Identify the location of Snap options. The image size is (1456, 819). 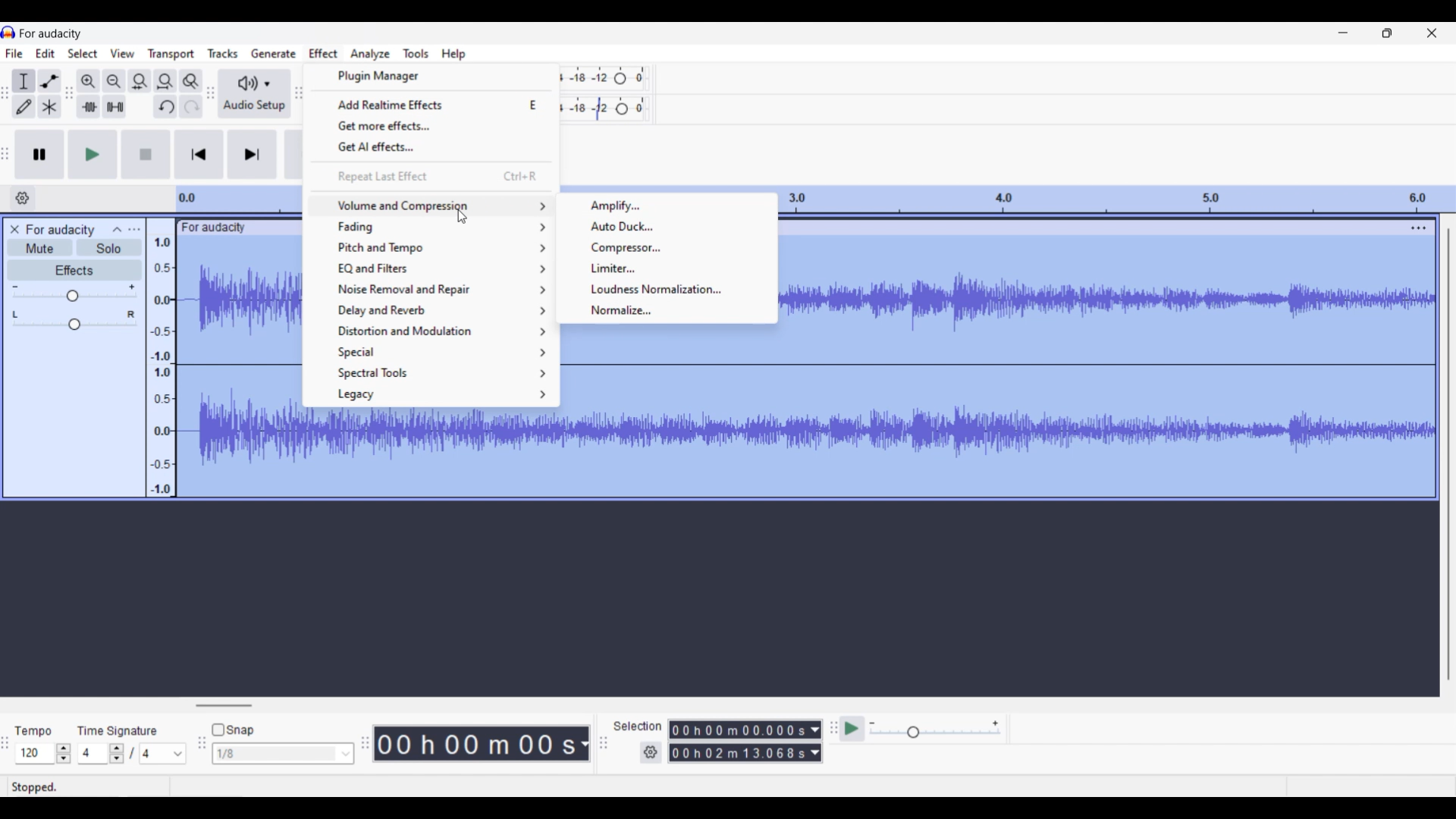
(284, 753).